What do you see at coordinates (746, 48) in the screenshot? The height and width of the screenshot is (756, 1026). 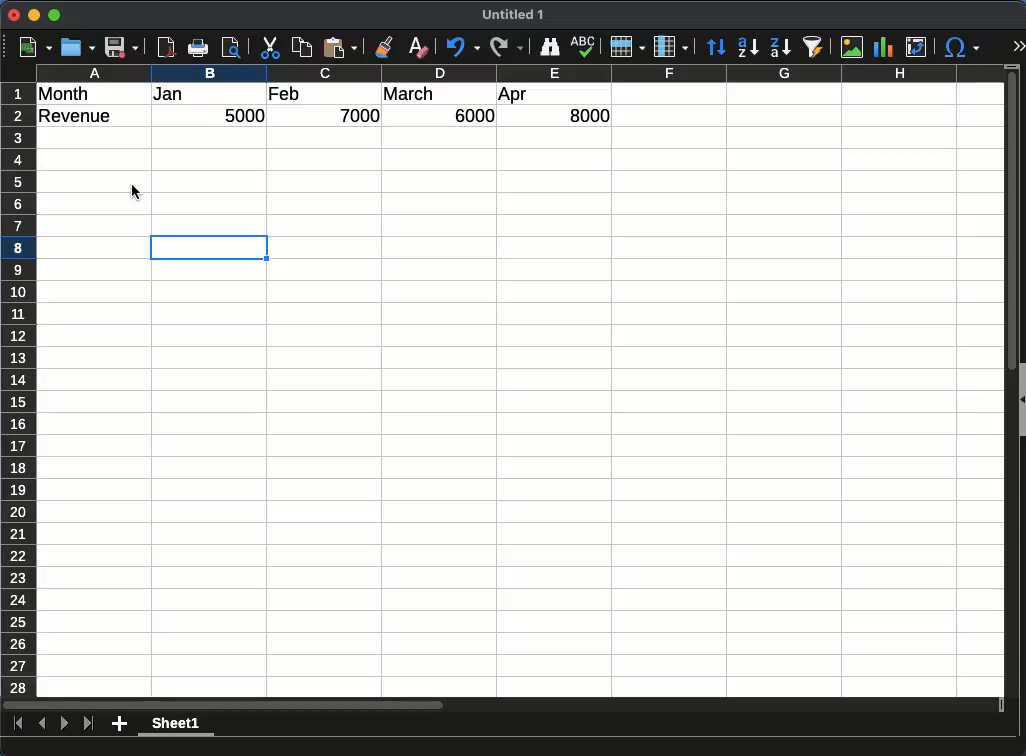 I see `ascending` at bounding box center [746, 48].